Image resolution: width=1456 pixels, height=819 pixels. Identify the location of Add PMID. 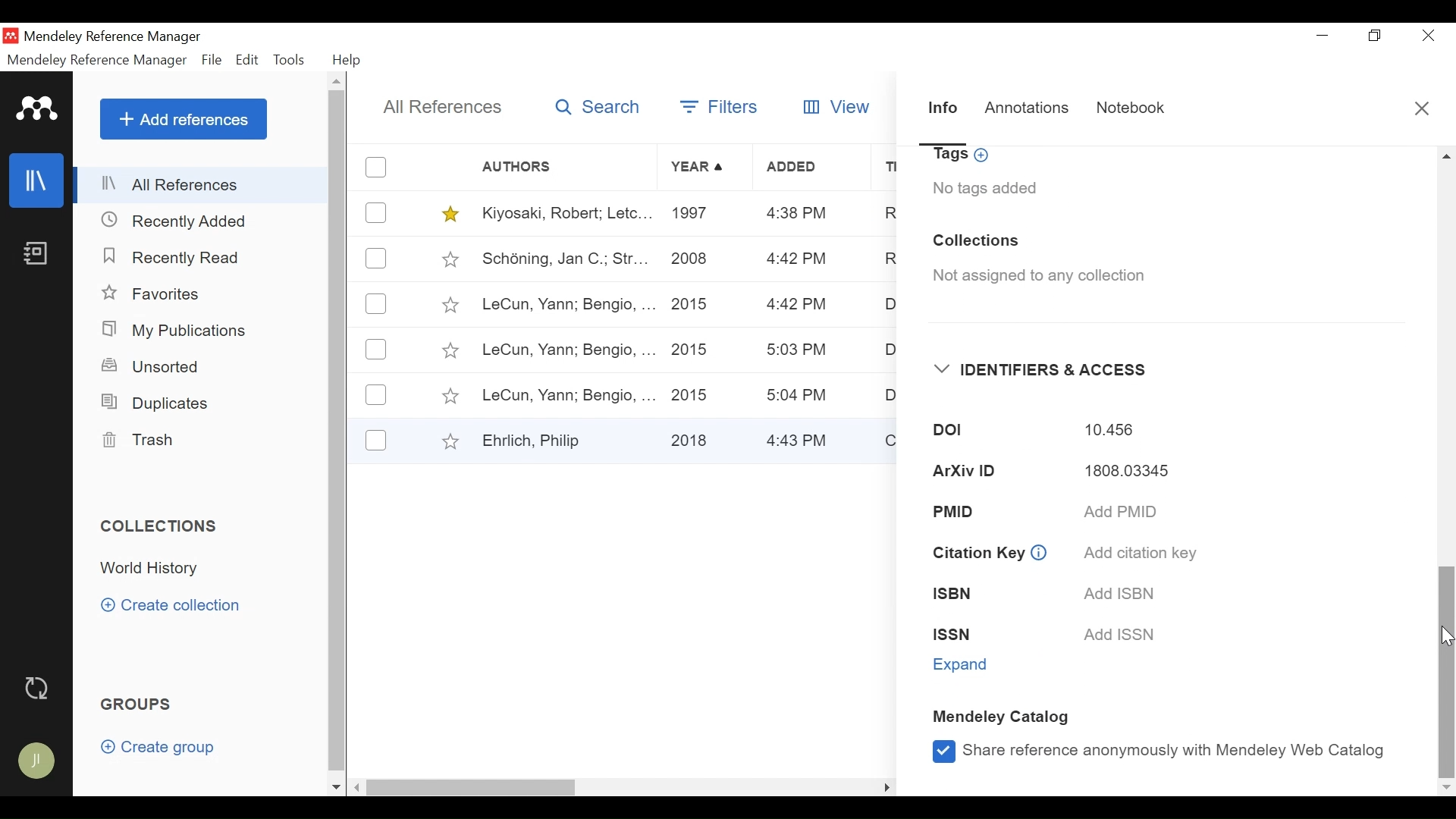
(1122, 513).